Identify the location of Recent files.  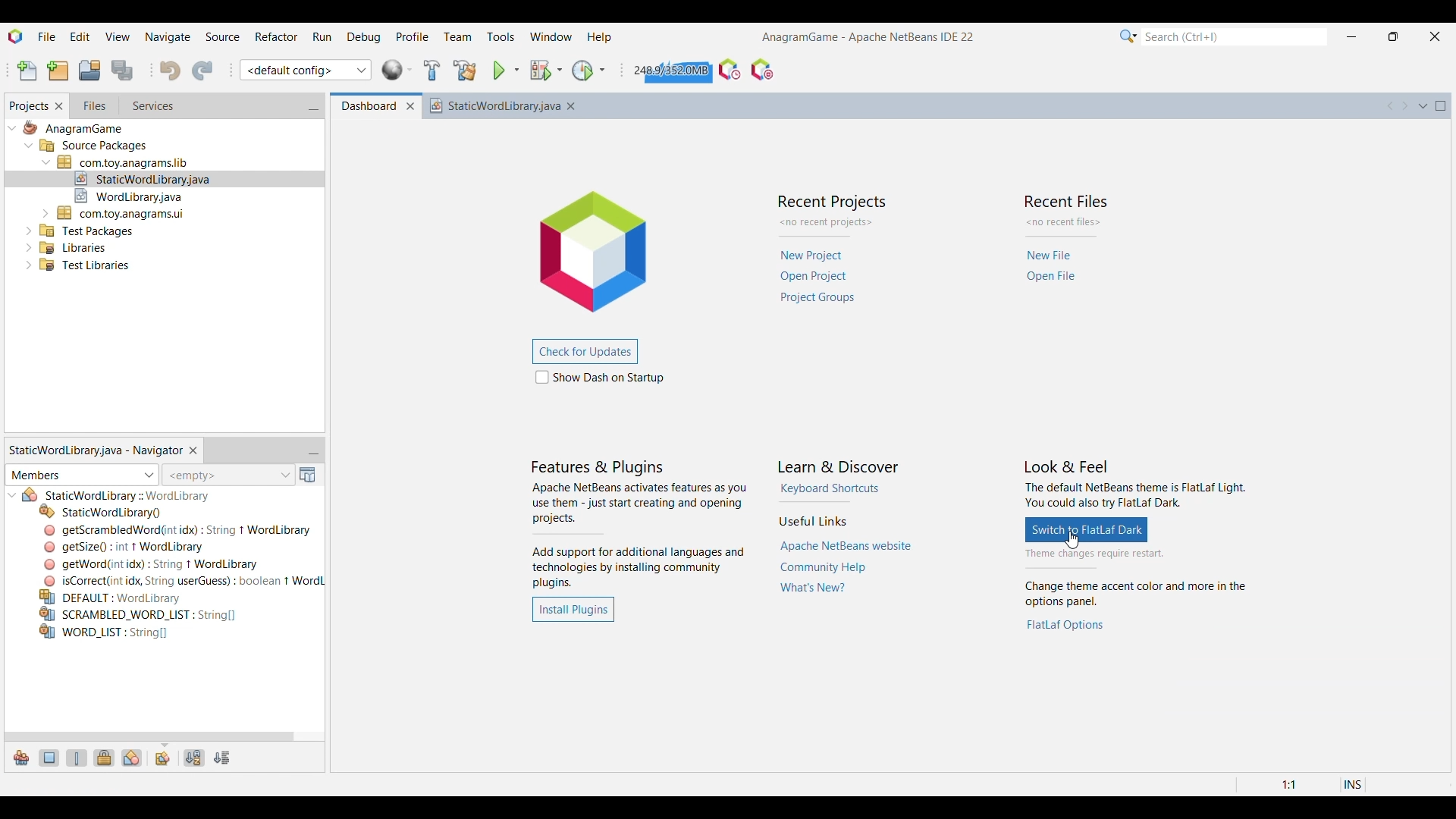
(1053, 267).